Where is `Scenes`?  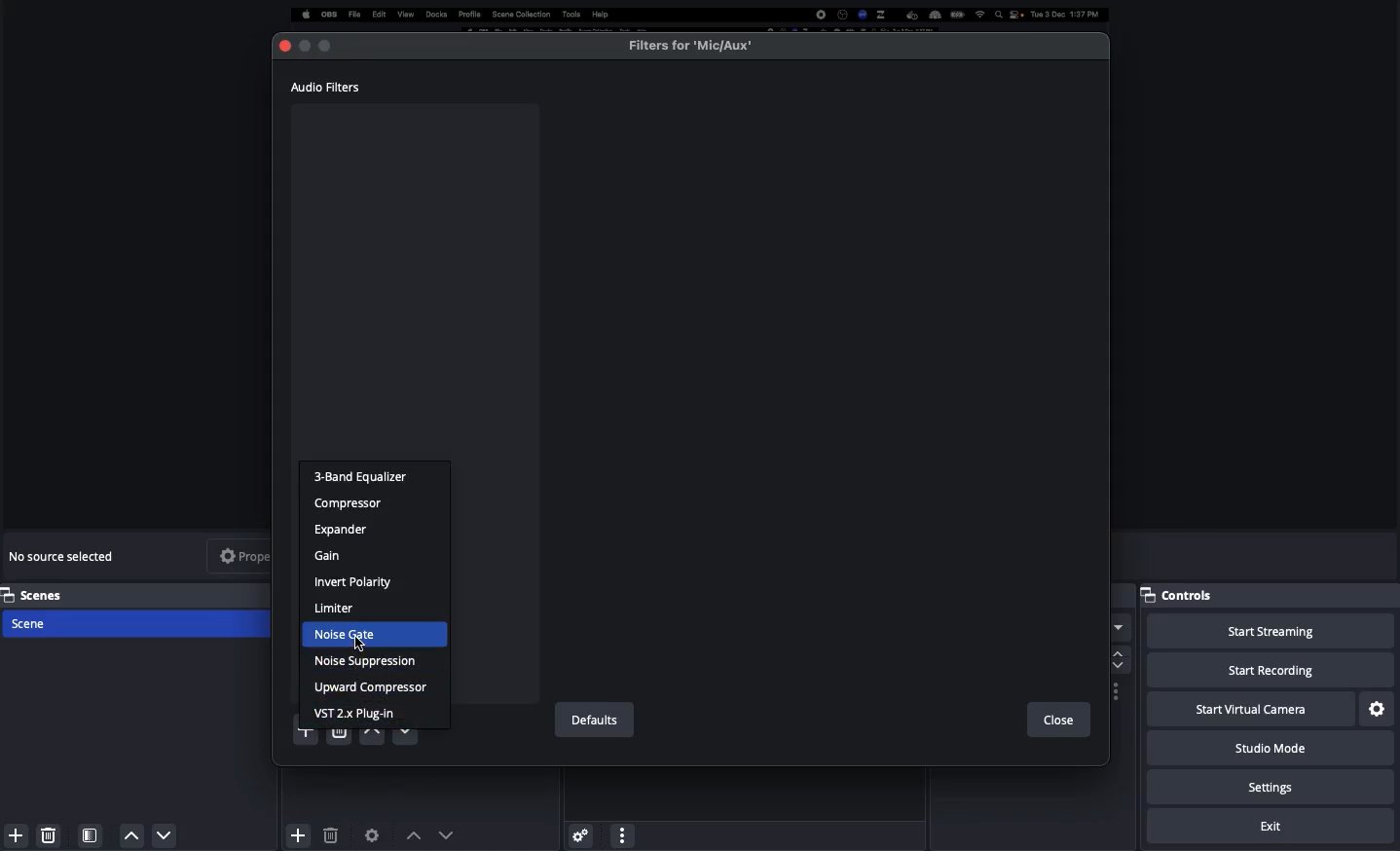
Scenes is located at coordinates (138, 594).